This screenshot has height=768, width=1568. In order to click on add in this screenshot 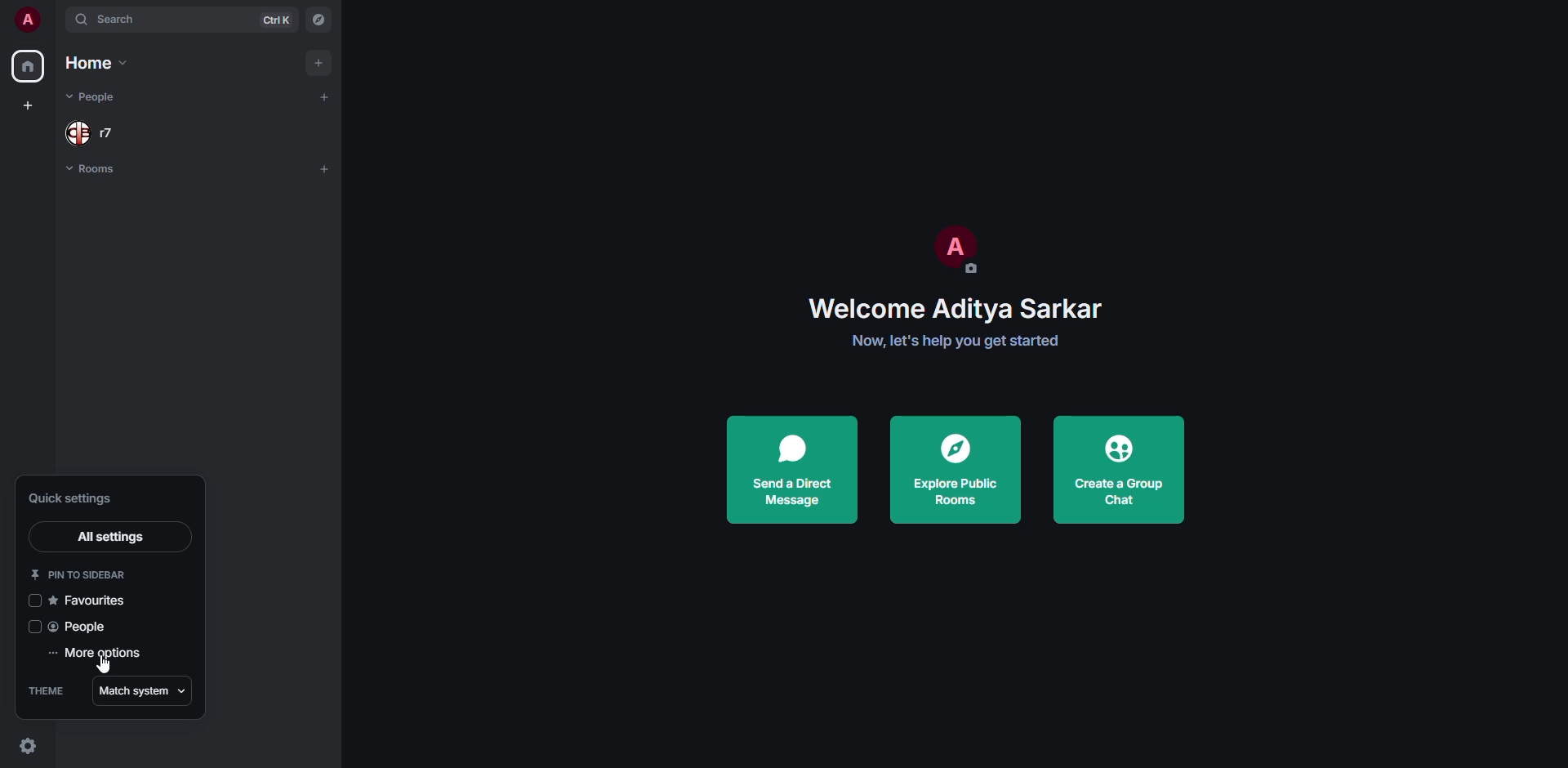, I will do `click(324, 168)`.